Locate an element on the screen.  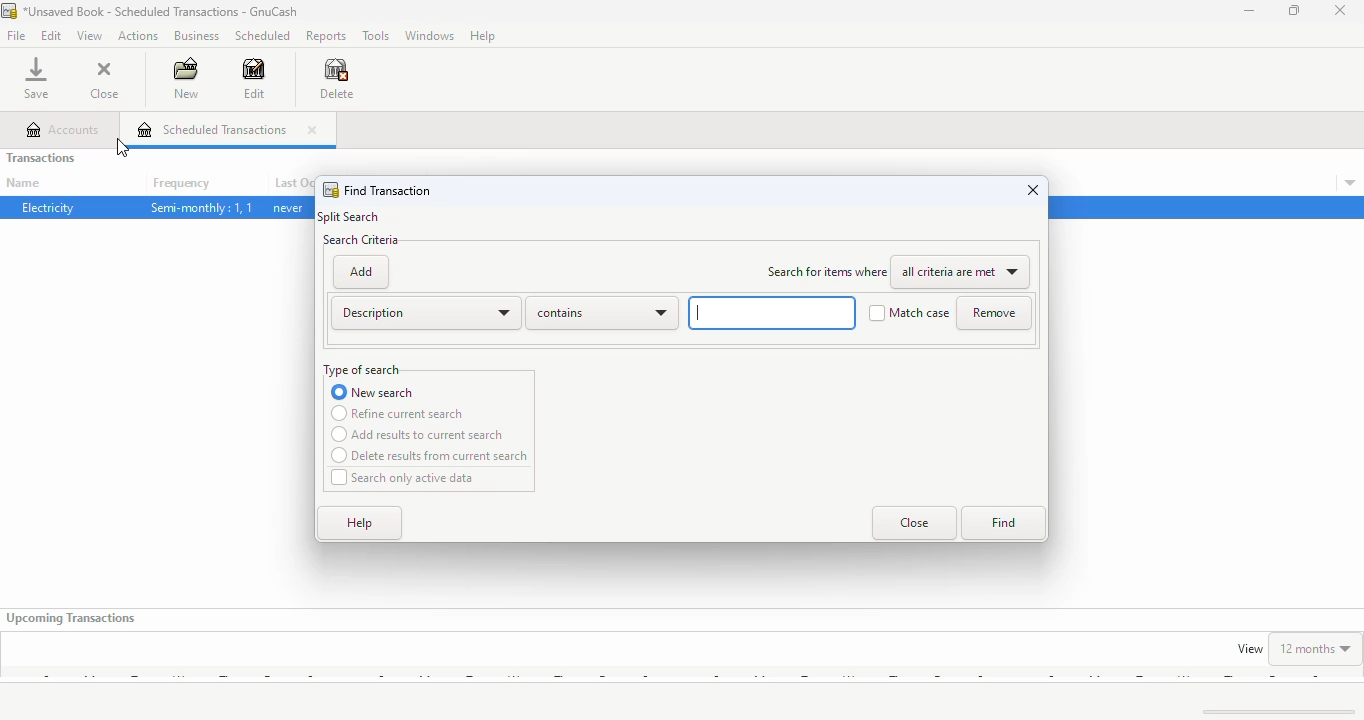
input search item is located at coordinates (770, 312).